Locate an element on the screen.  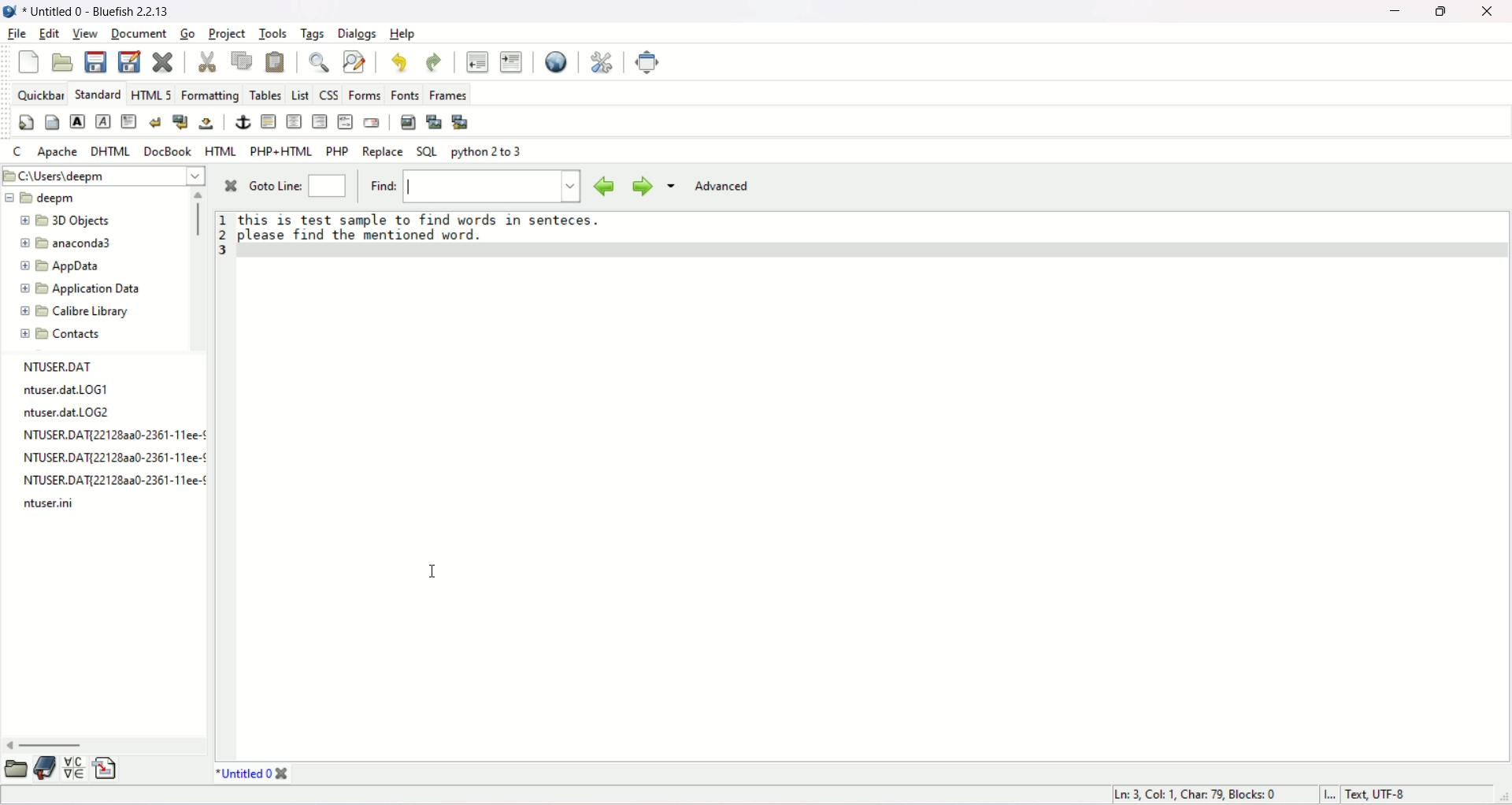
open folder is located at coordinates (14, 768).